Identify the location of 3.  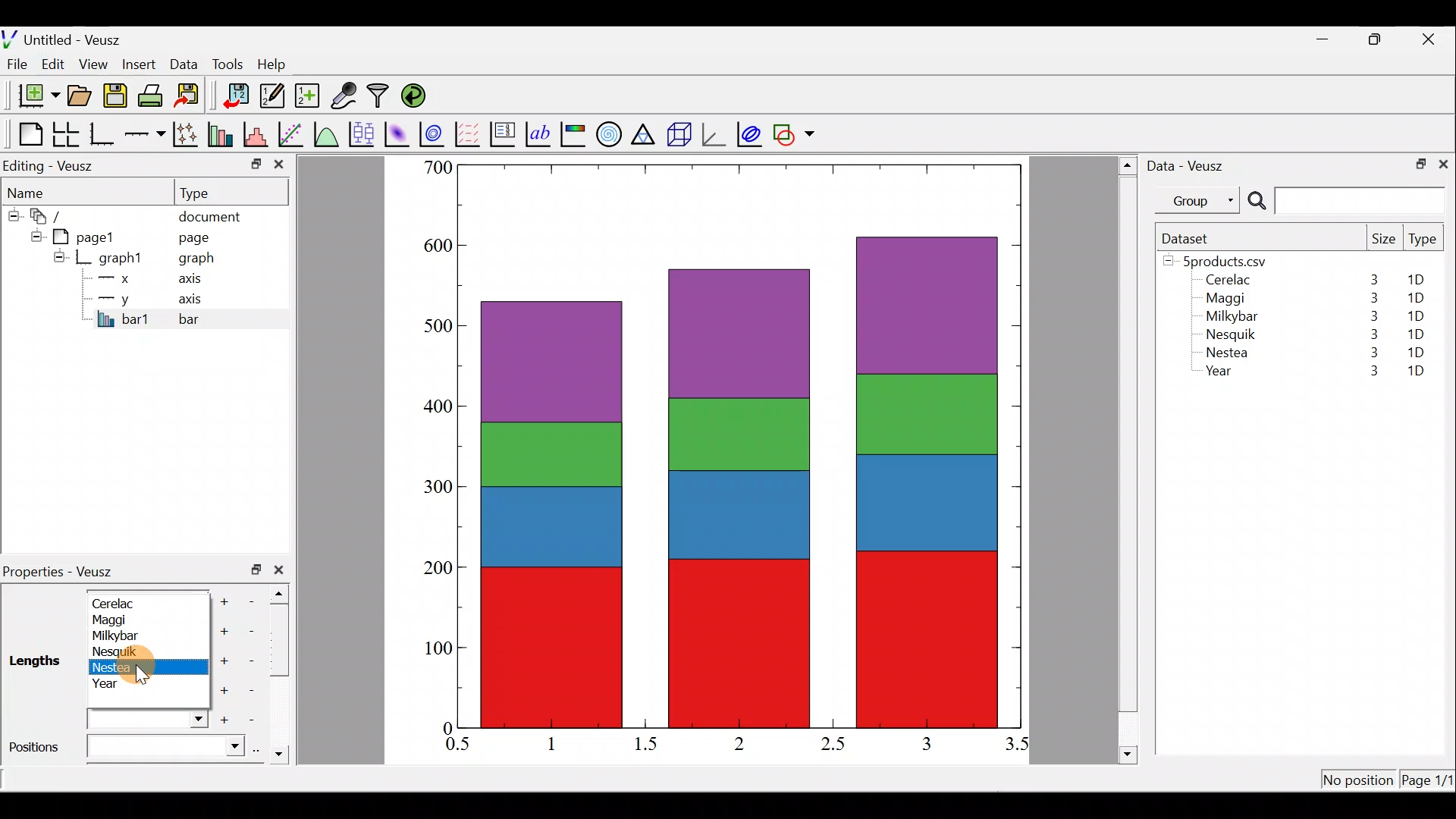
(1373, 279).